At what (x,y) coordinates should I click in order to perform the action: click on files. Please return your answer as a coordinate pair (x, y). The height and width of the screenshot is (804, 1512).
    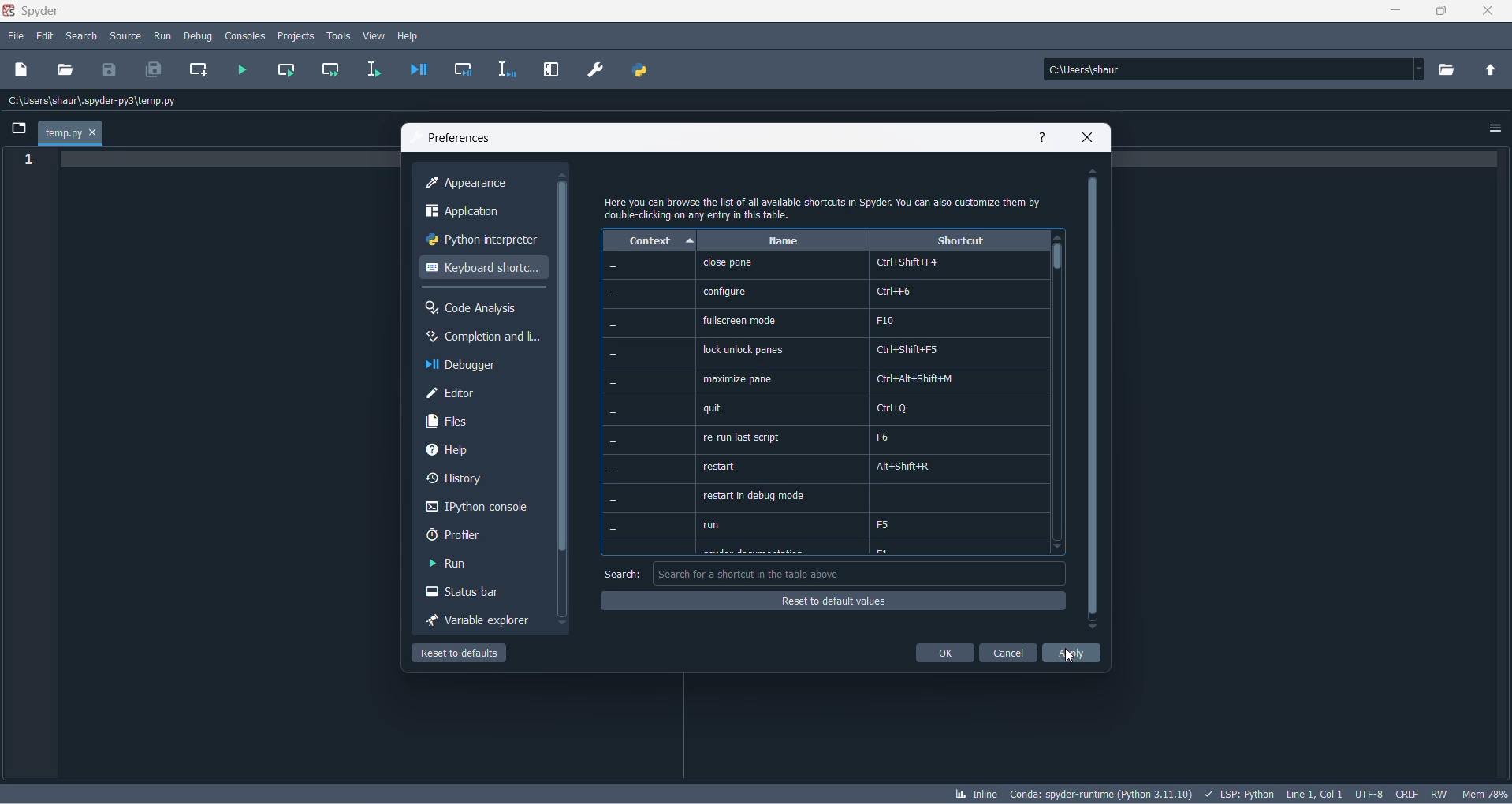
    Looking at the image, I should click on (484, 422).